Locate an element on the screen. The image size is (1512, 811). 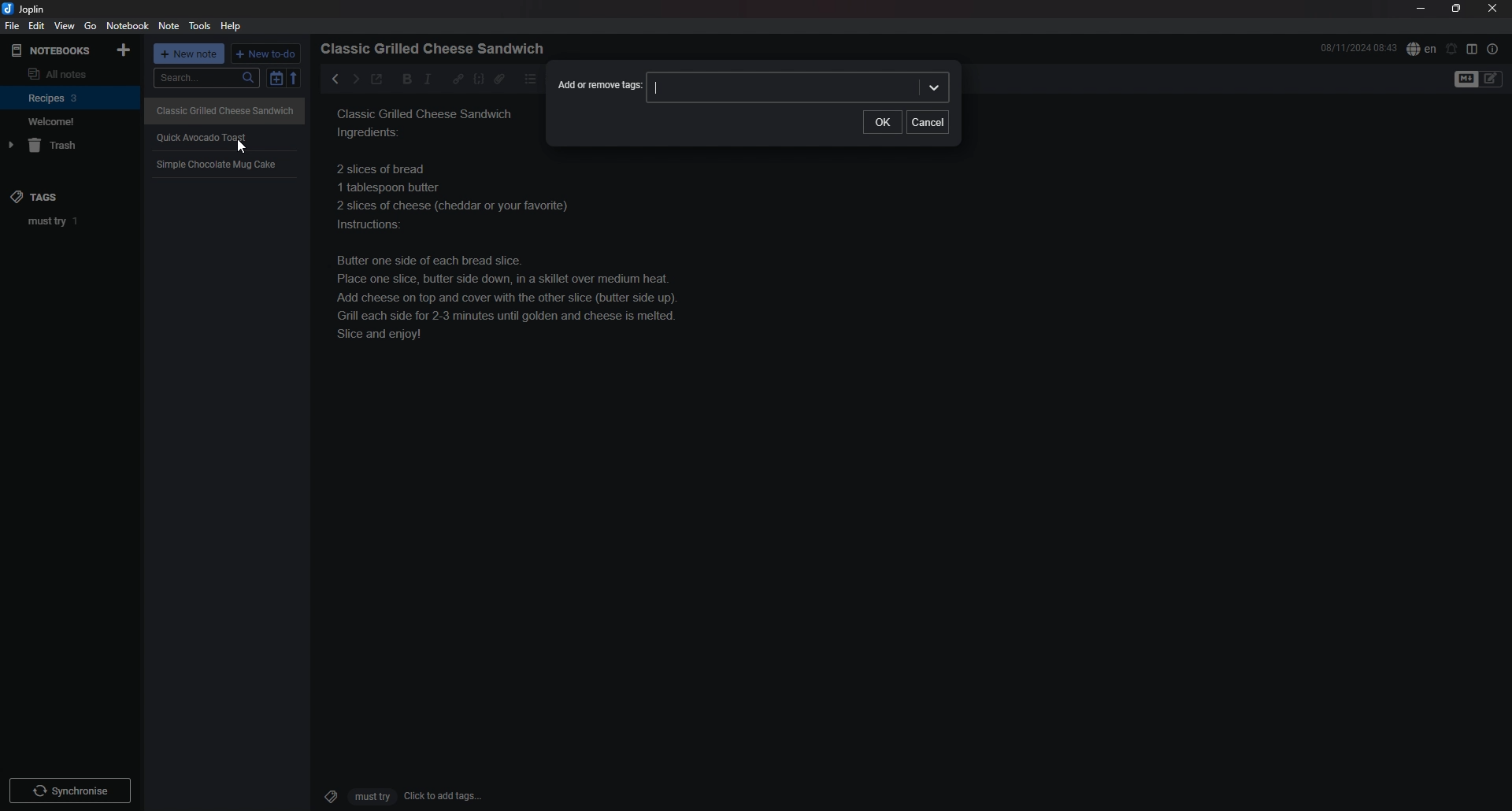
input box is located at coordinates (783, 87).